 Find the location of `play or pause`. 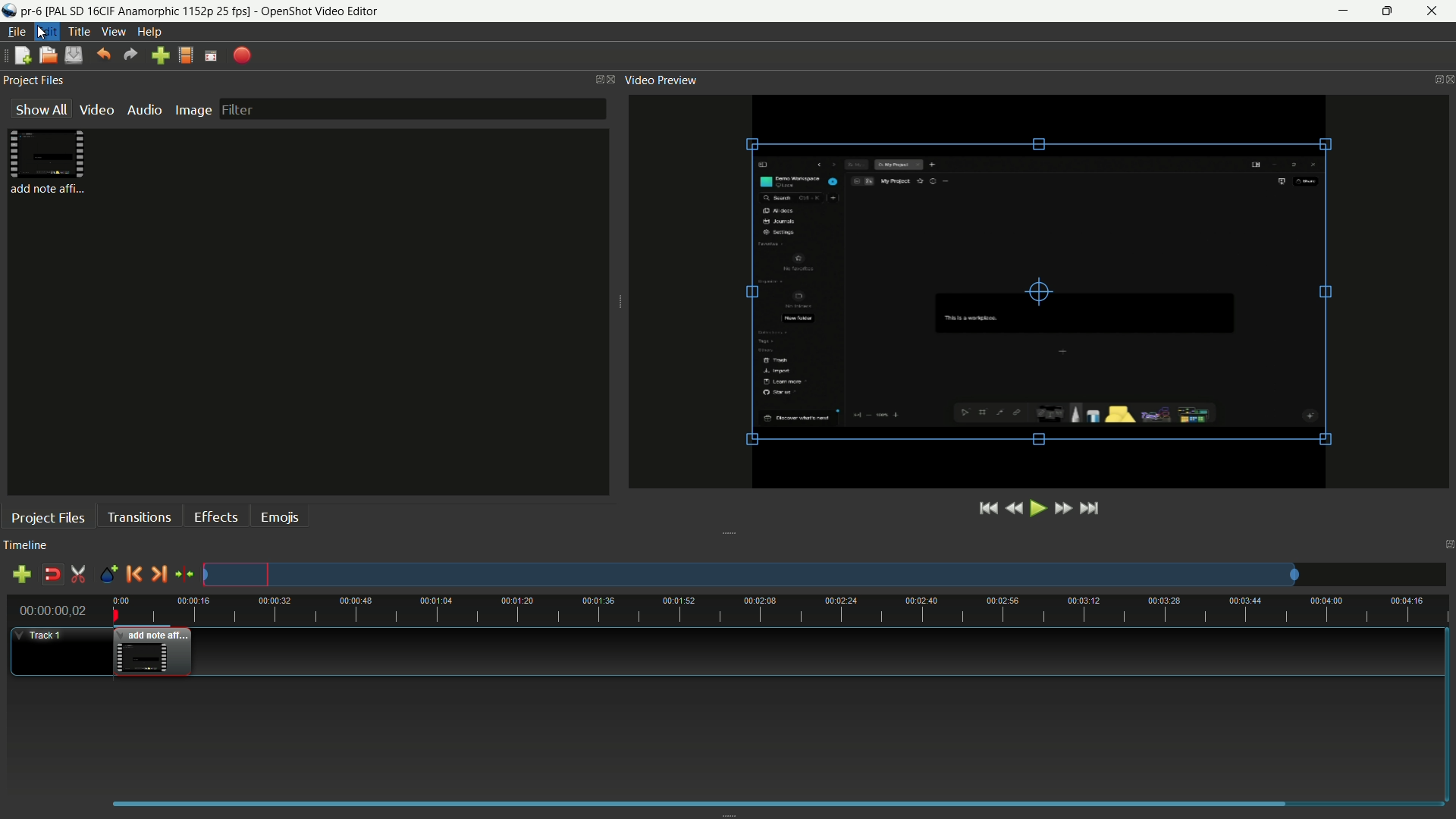

play or pause is located at coordinates (1036, 508).